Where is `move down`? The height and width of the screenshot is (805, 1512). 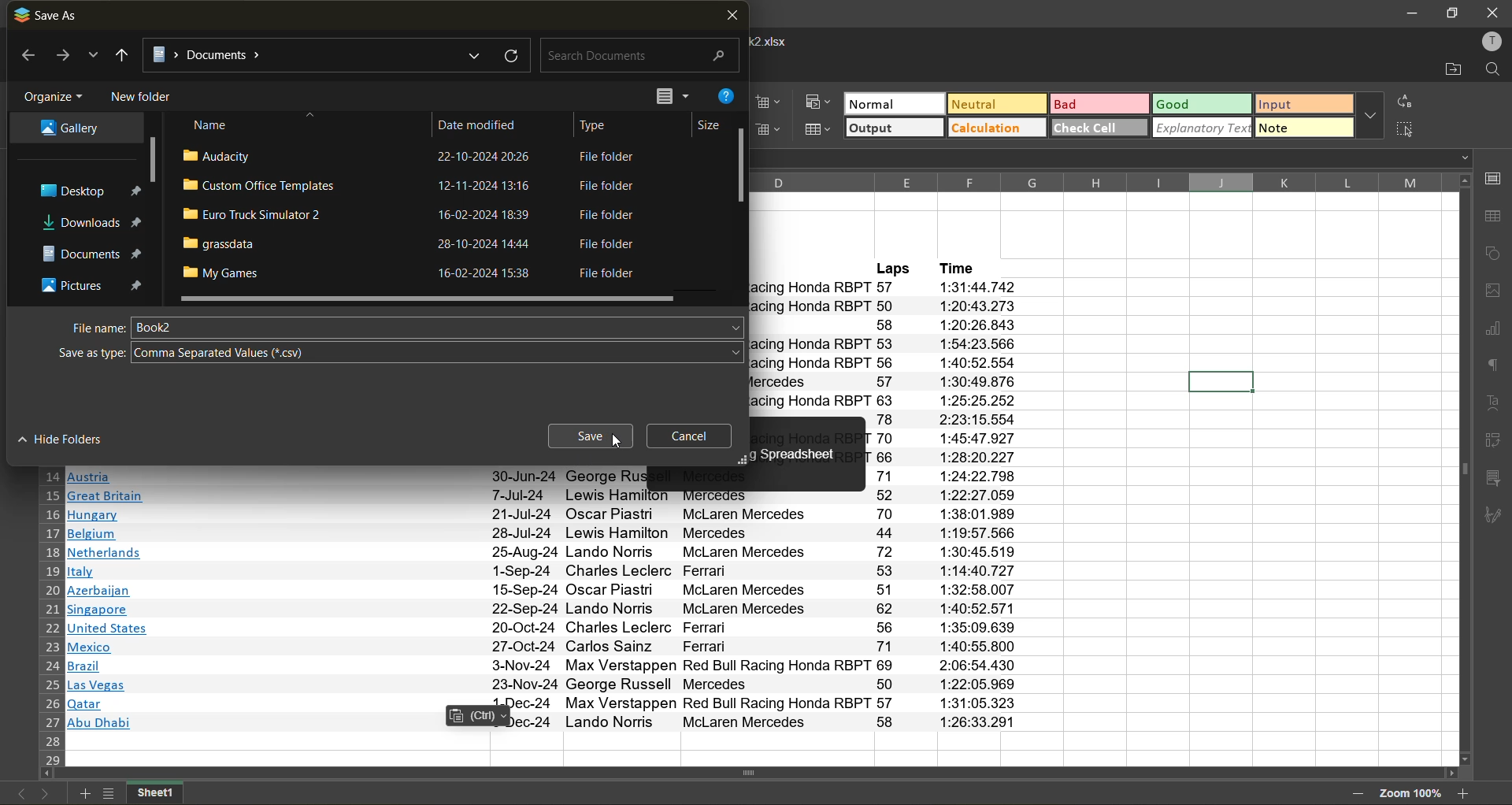 move down is located at coordinates (1466, 759).